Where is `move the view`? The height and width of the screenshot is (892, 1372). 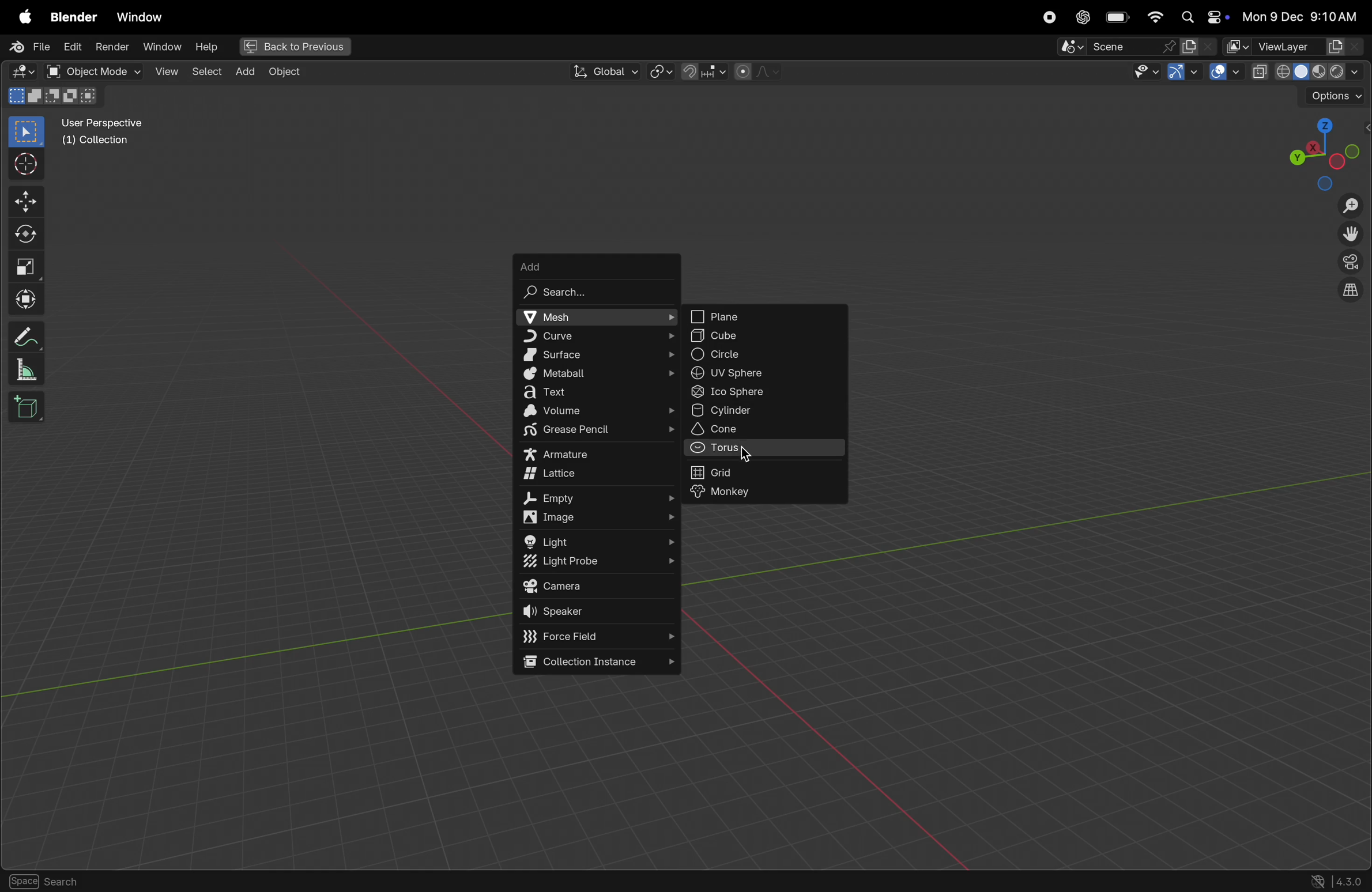
move the view is located at coordinates (1348, 235).